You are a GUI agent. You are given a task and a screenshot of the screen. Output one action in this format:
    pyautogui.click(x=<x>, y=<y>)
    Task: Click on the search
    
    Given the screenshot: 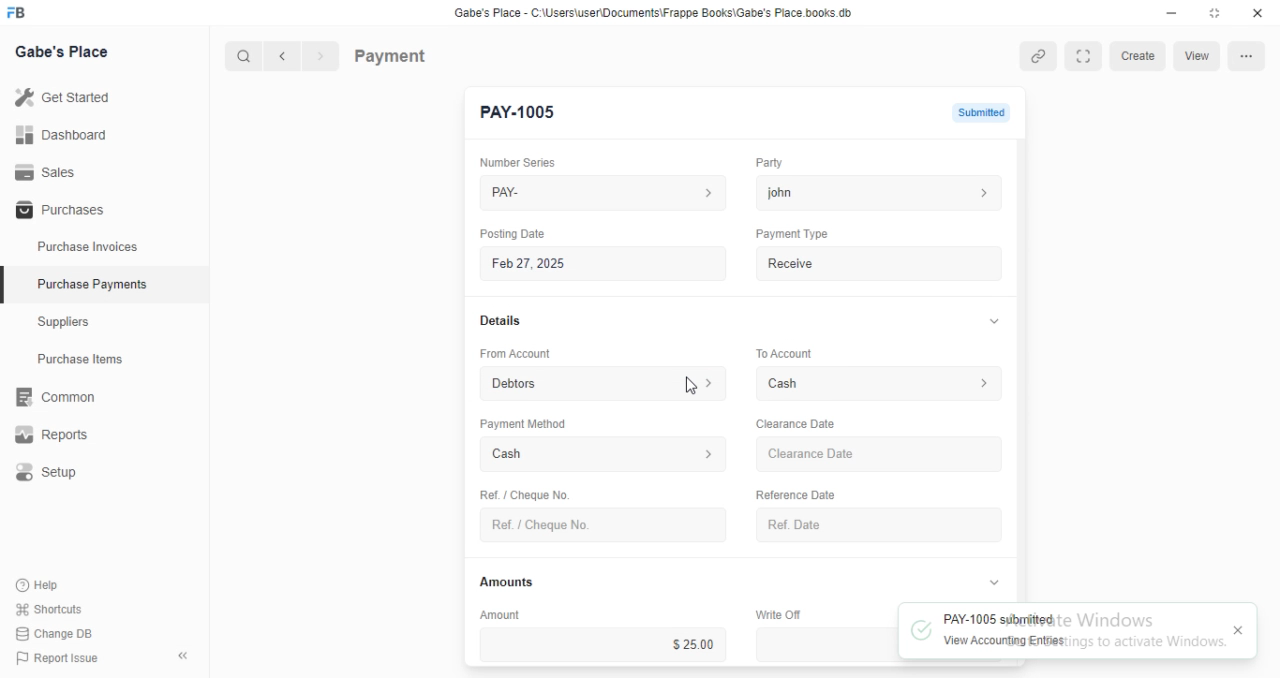 What is the action you would take?
    pyautogui.click(x=245, y=57)
    